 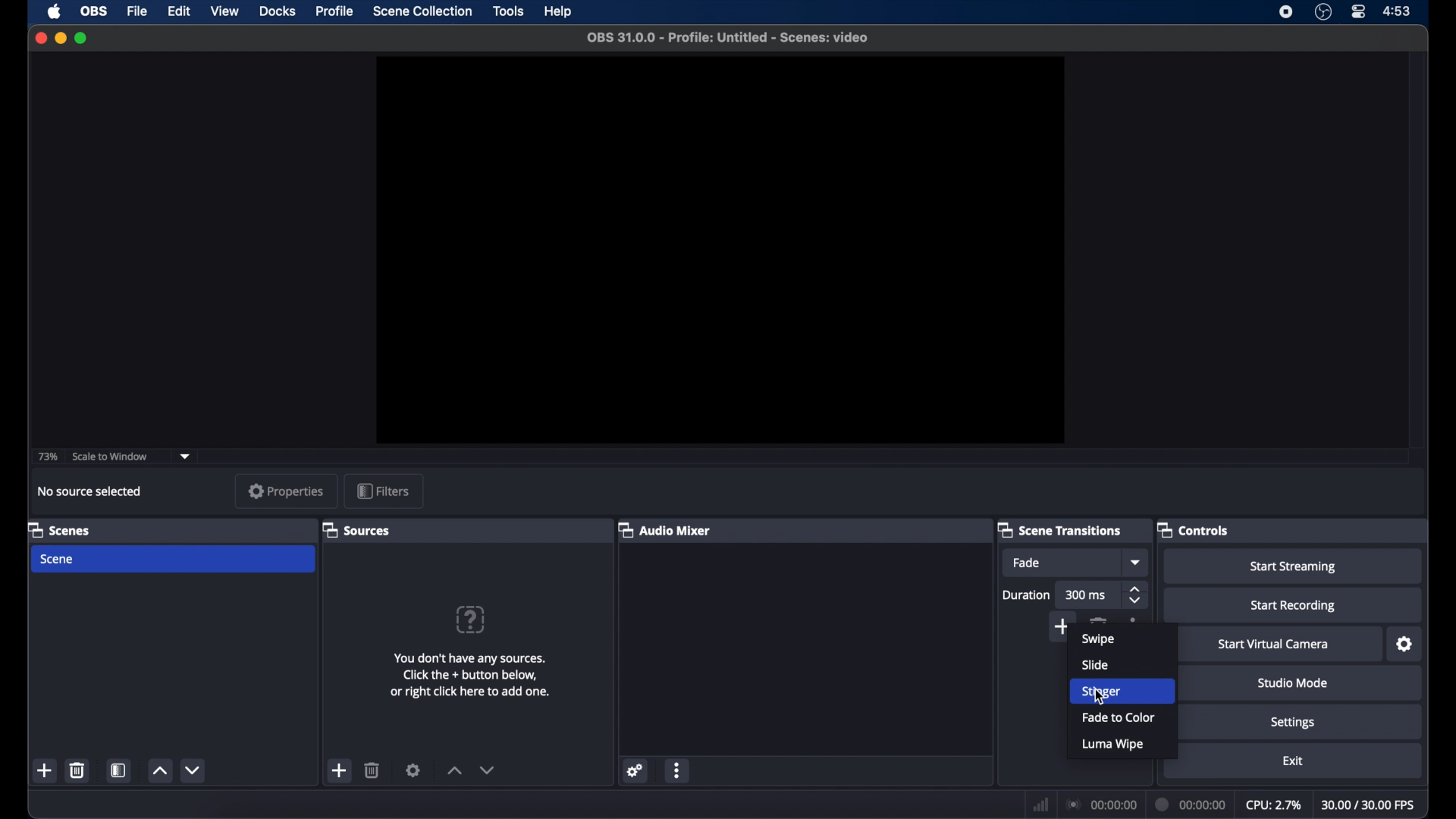 What do you see at coordinates (178, 11) in the screenshot?
I see `edit` at bounding box center [178, 11].